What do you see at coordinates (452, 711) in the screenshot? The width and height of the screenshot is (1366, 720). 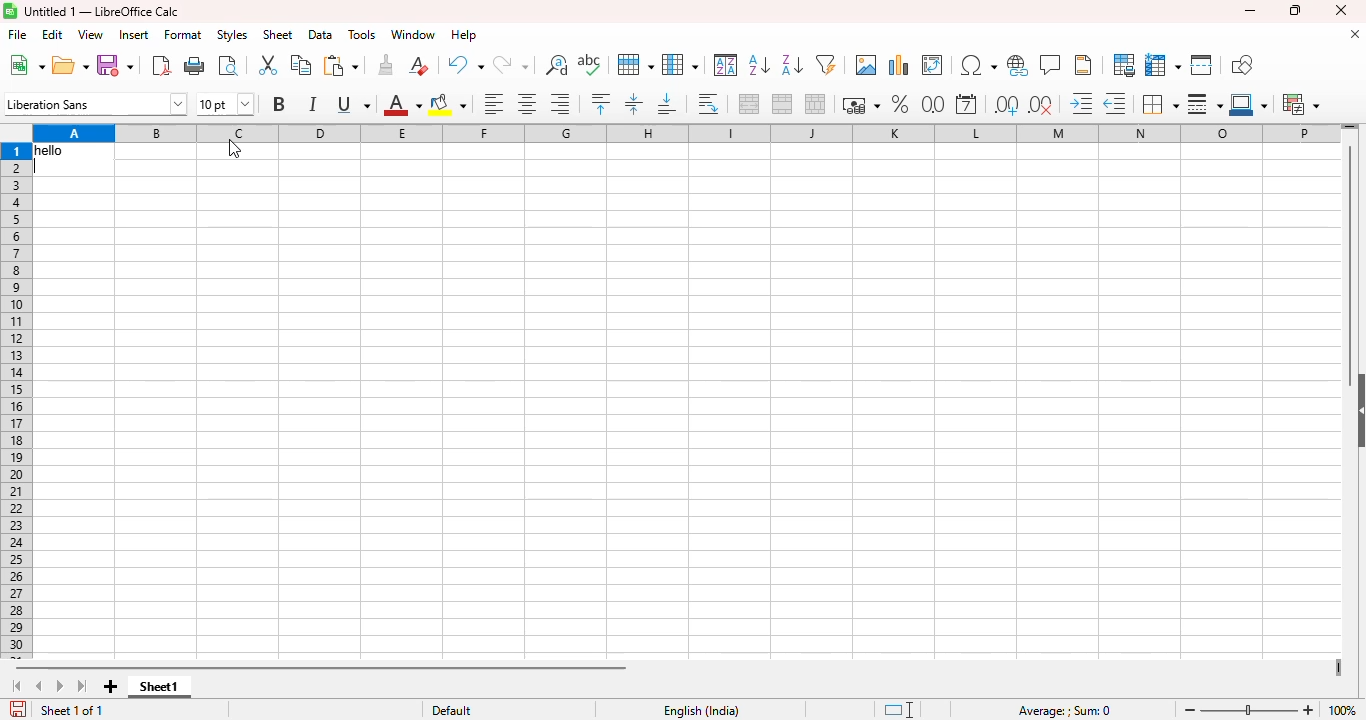 I see `default` at bounding box center [452, 711].